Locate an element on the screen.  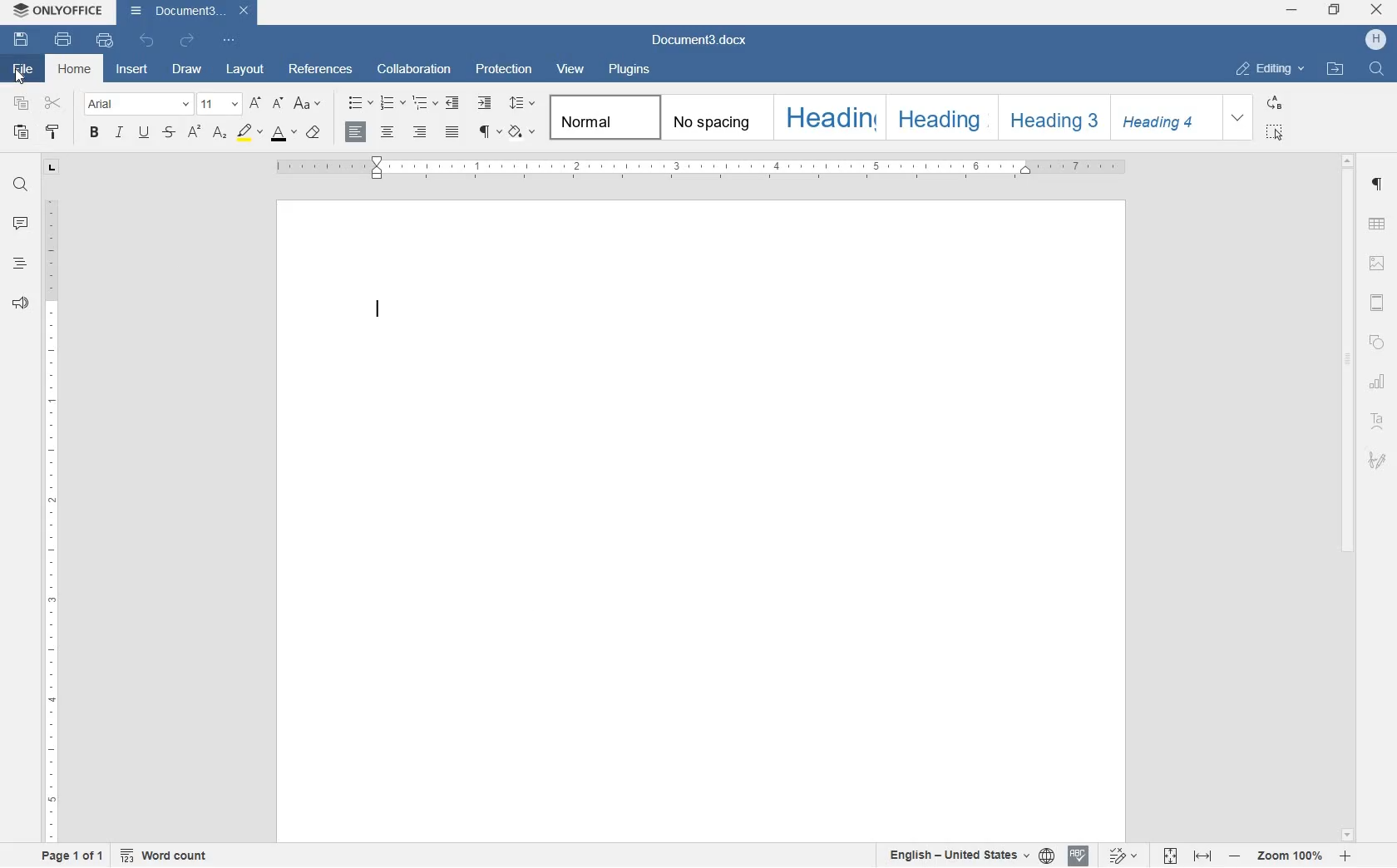
paragraph line spacing is located at coordinates (521, 103).